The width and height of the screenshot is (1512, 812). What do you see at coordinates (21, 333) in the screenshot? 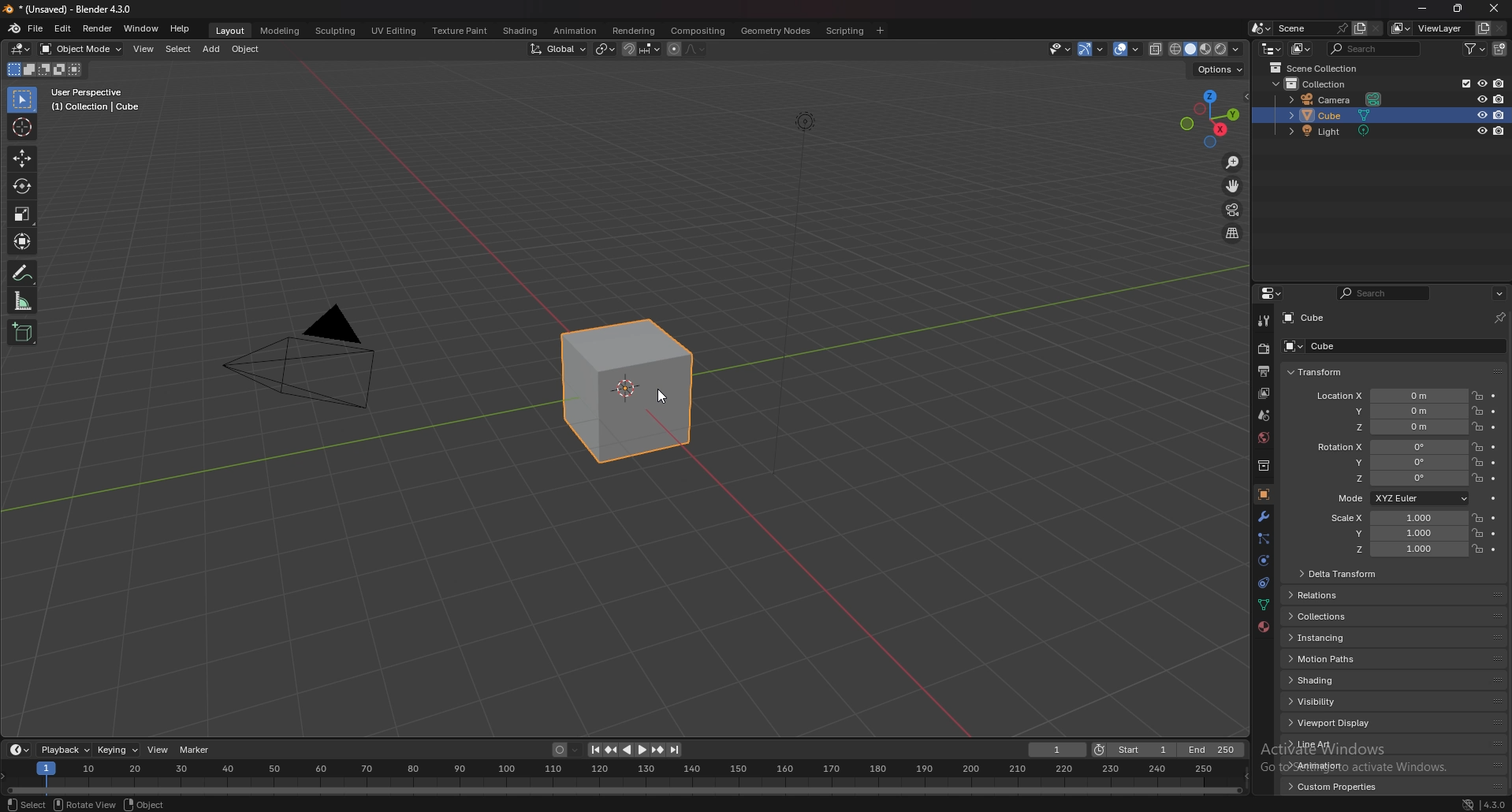
I see `add cube` at bounding box center [21, 333].